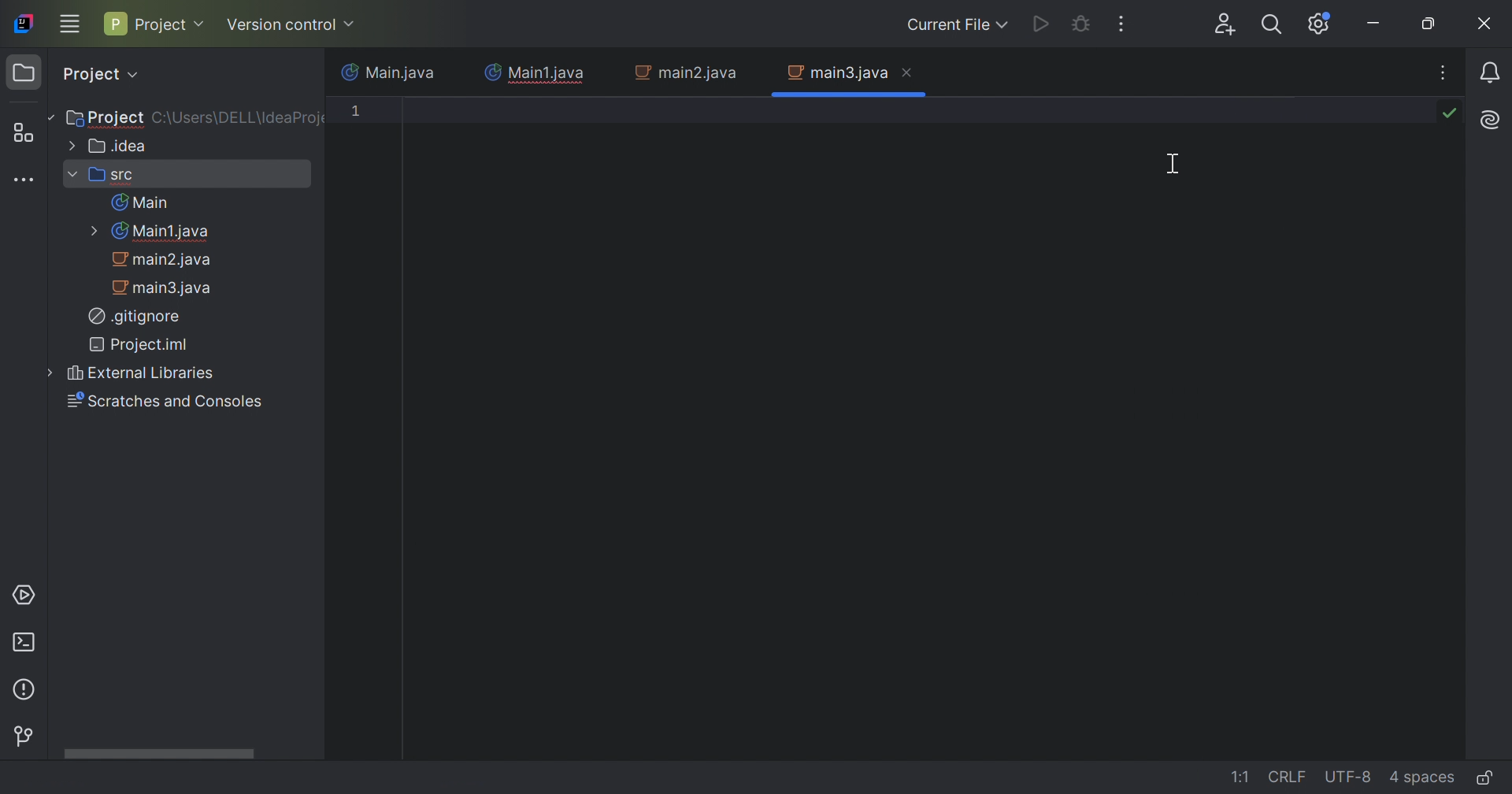 Image resolution: width=1512 pixels, height=794 pixels. What do you see at coordinates (1172, 163) in the screenshot?
I see `Cursor` at bounding box center [1172, 163].